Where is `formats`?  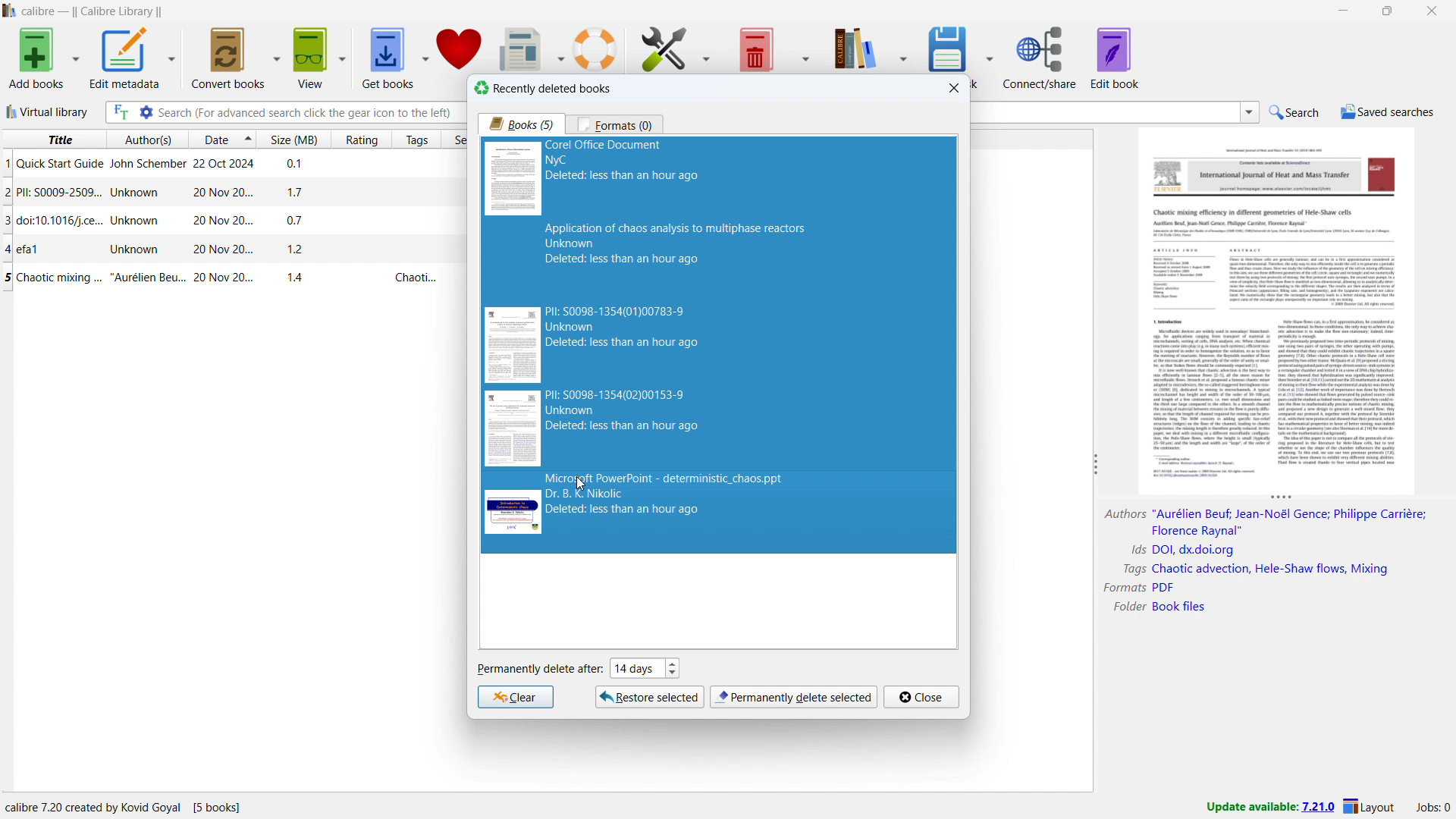 formats is located at coordinates (615, 124).